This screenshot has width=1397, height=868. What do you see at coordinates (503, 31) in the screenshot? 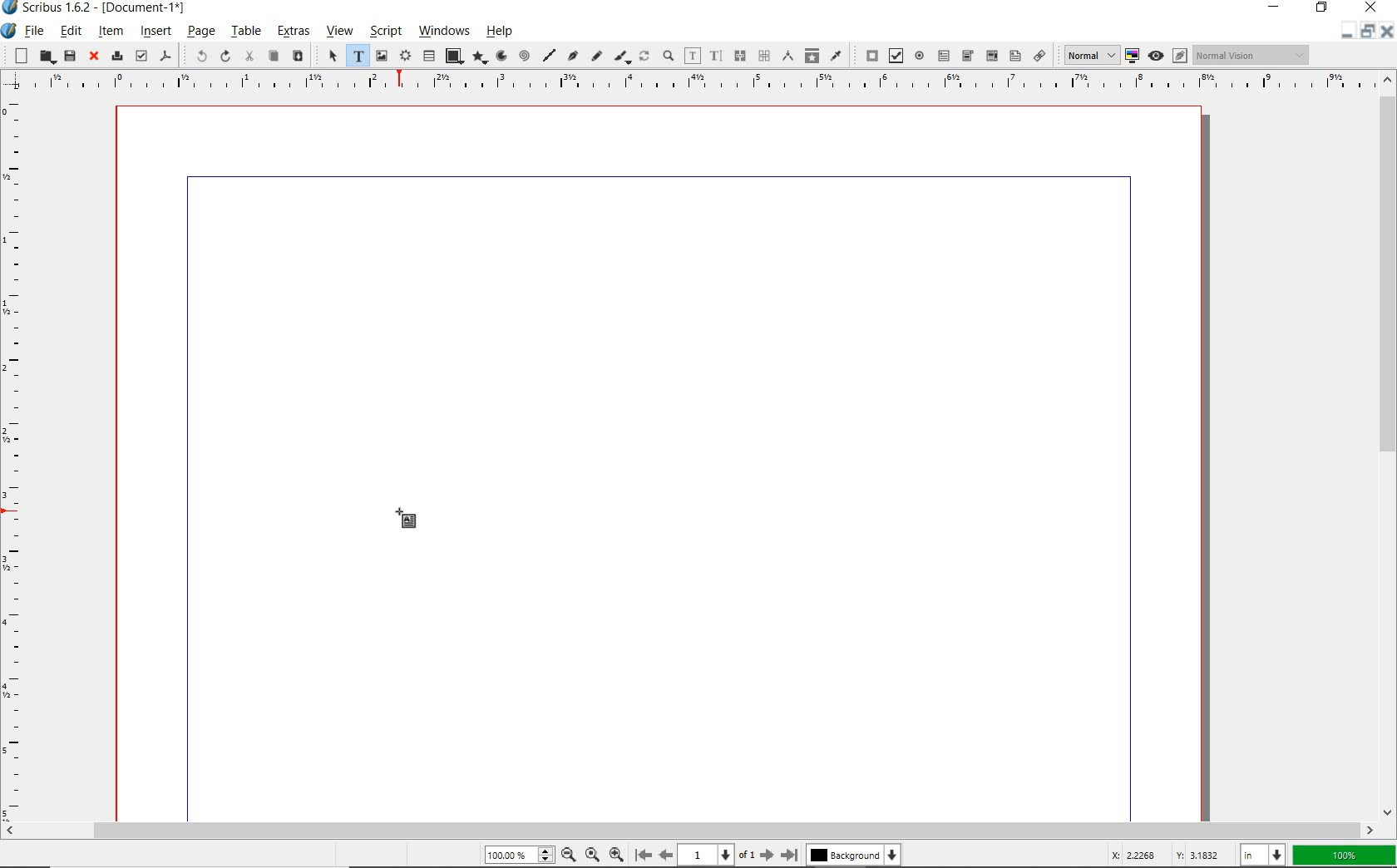
I see `help` at bounding box center [503, 31].